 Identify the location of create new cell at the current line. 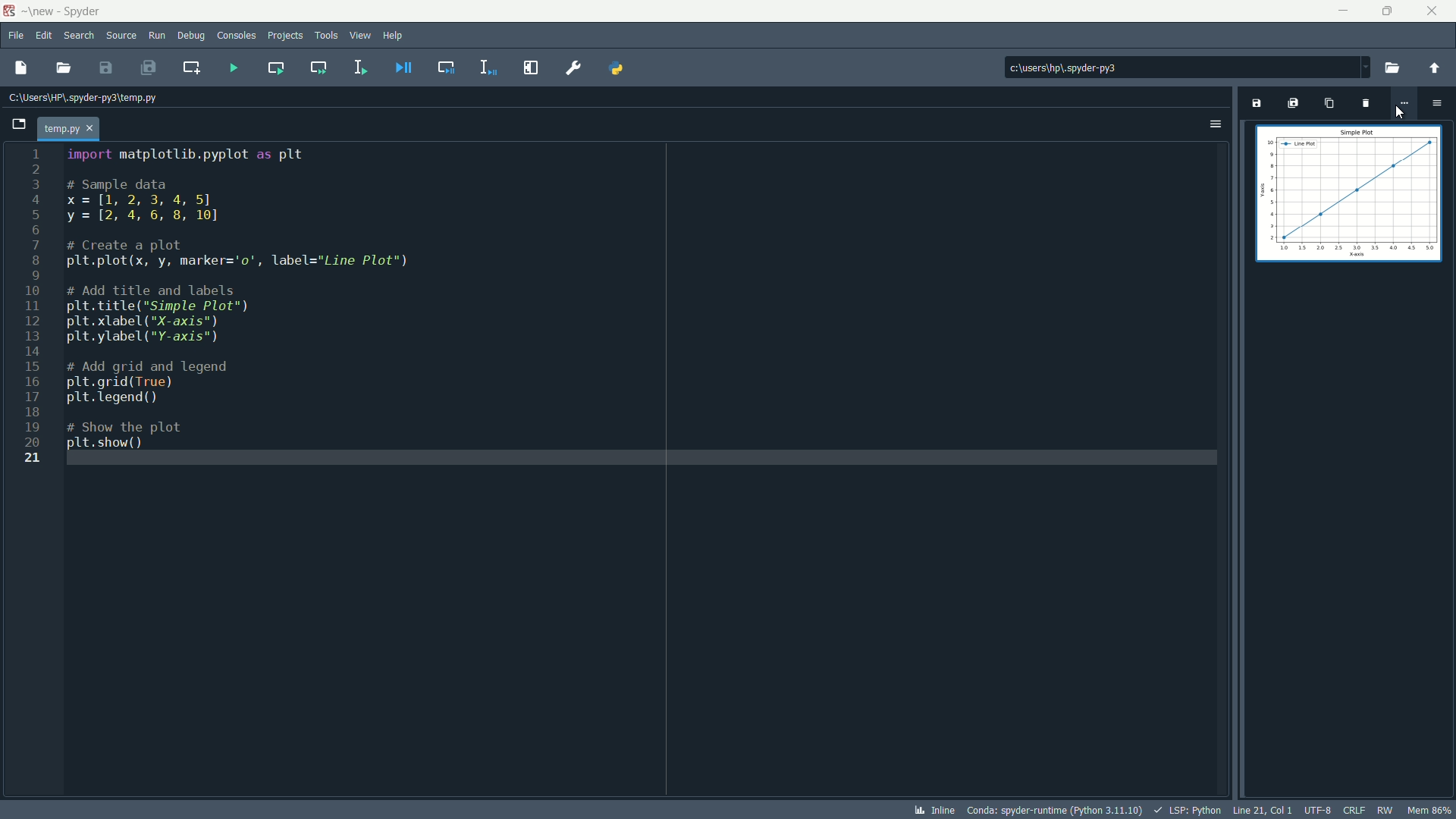
(193, 65).